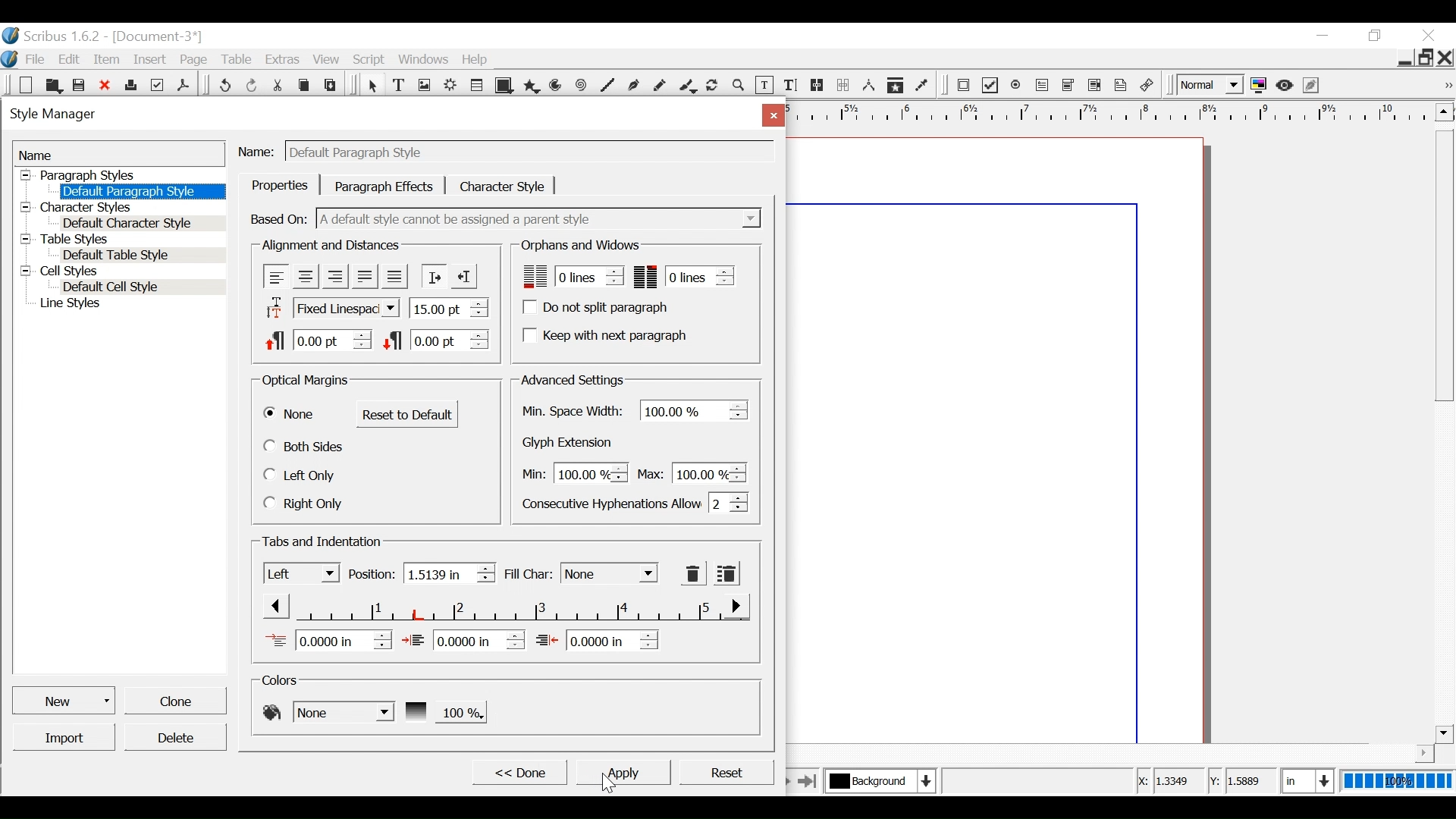 This screenshot has height=819, width=1456. I want to click on Reset to Default, so click(407, 414).